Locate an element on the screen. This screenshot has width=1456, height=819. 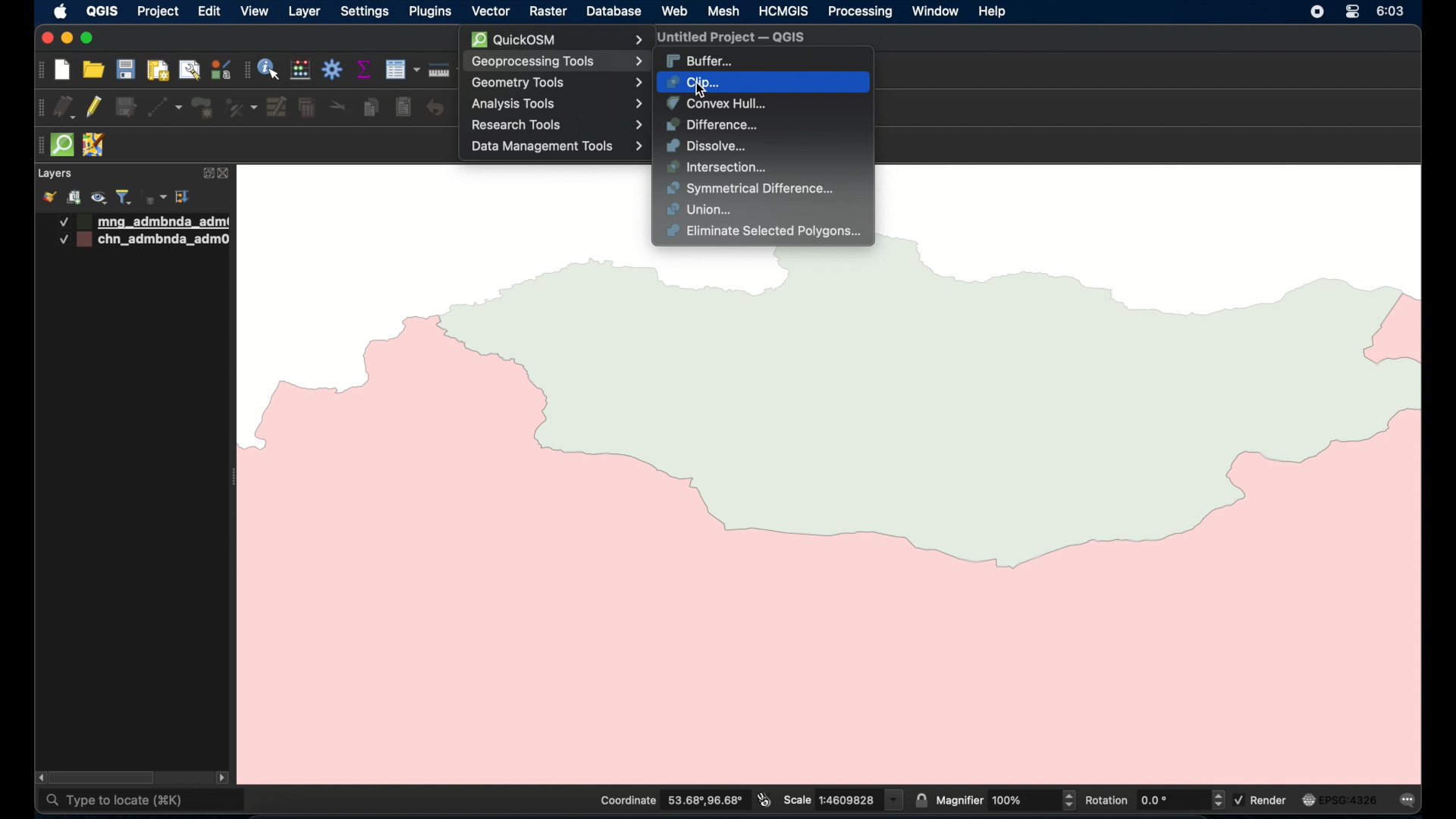
dissolve is located at coordinates (709, 146).